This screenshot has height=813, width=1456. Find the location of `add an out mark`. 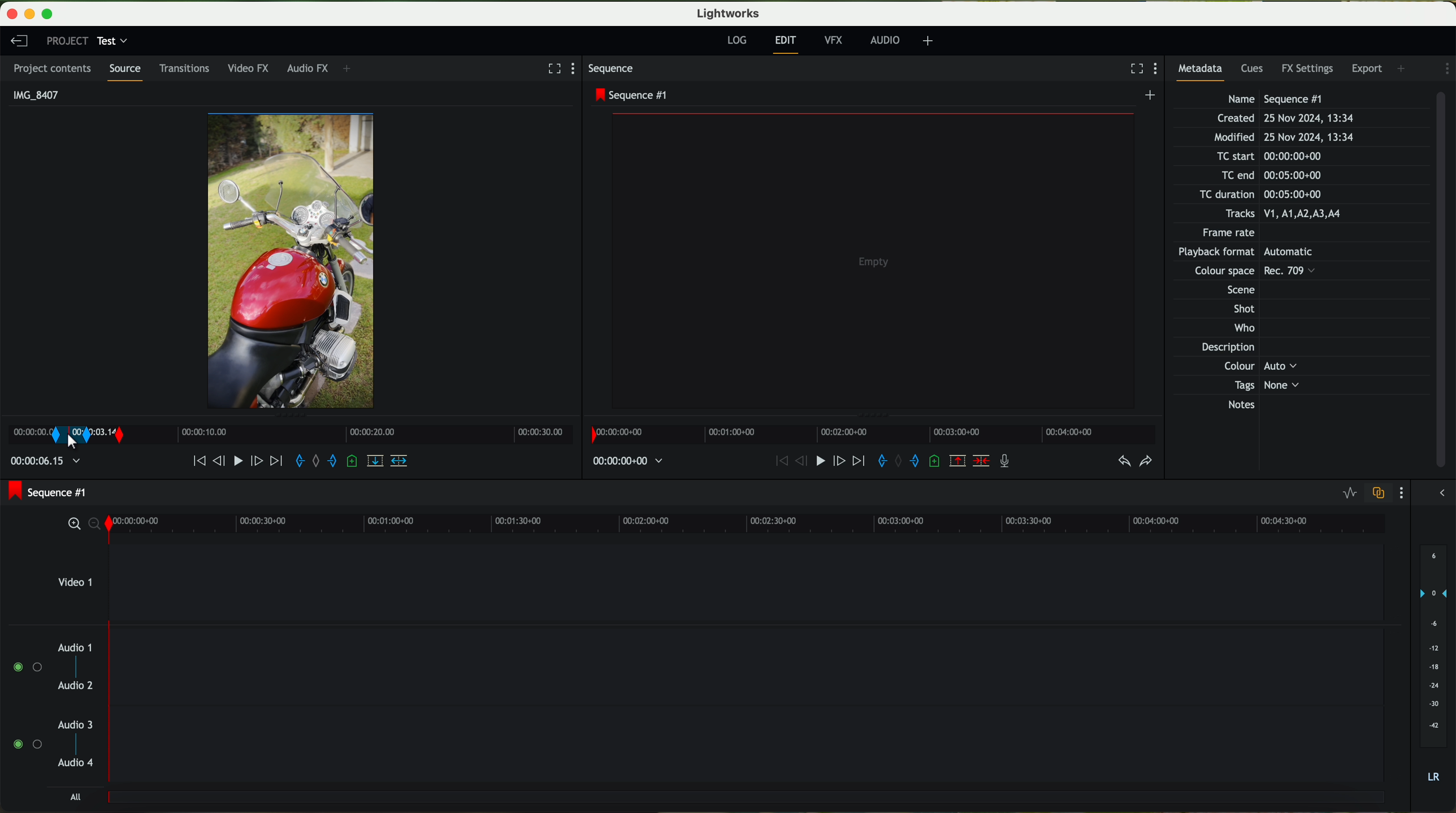

add an out mark is located at coordinates (332, 464).